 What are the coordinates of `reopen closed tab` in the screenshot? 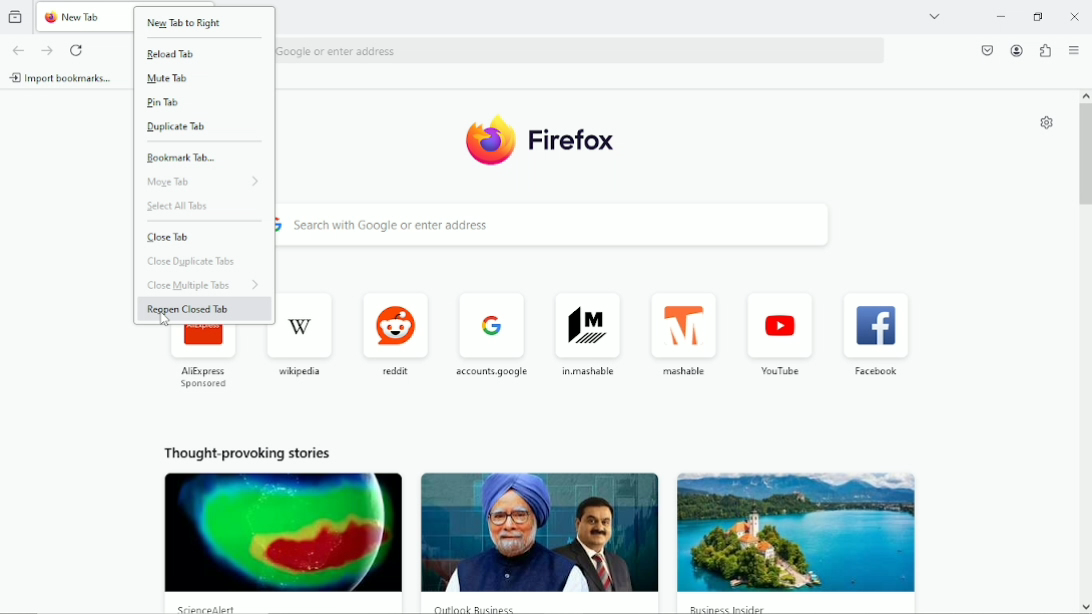 It's located at (188, 310).